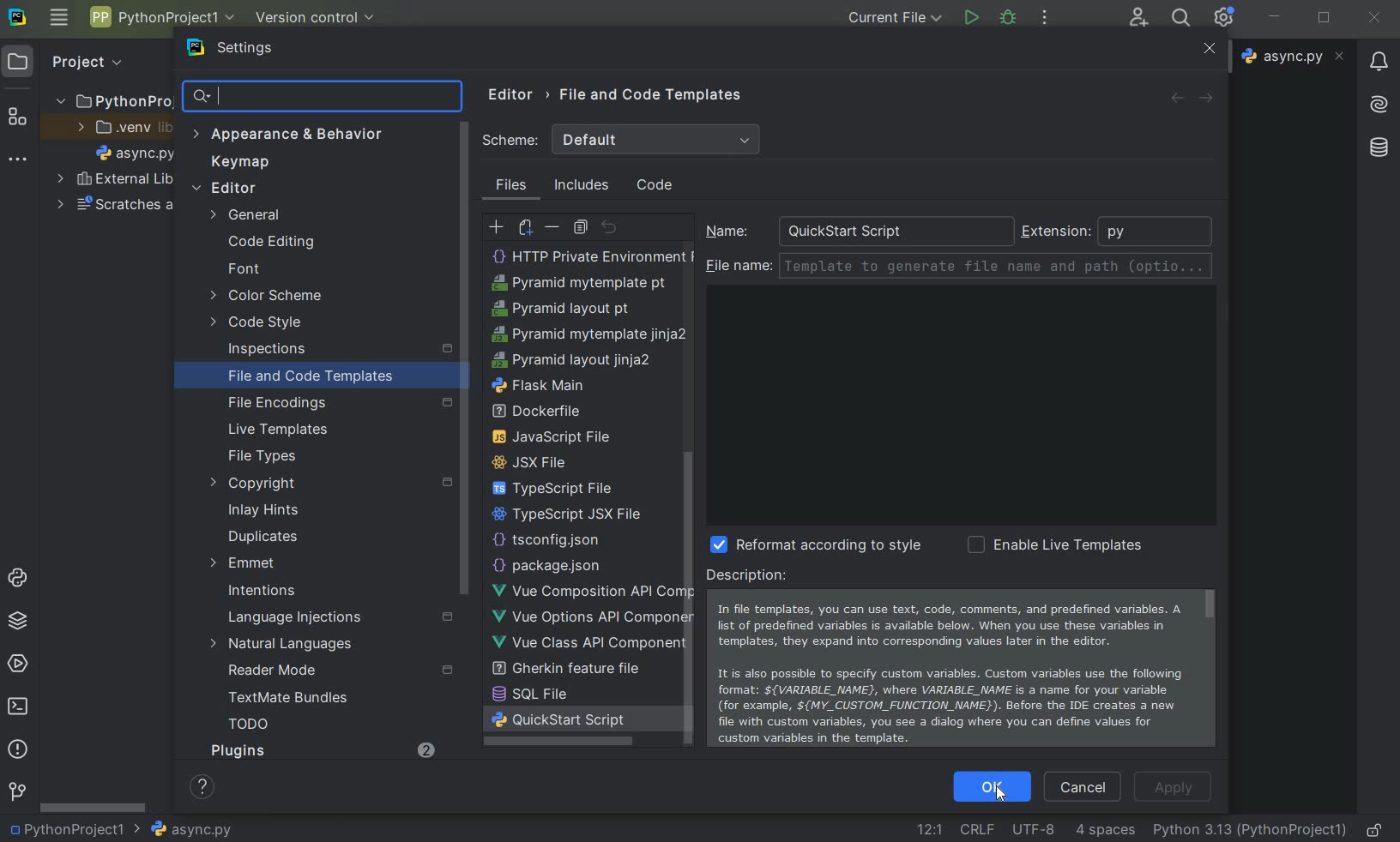  Describe the element at coordinates (293, 645) in the screenshot. I see `natural languages` at that location.